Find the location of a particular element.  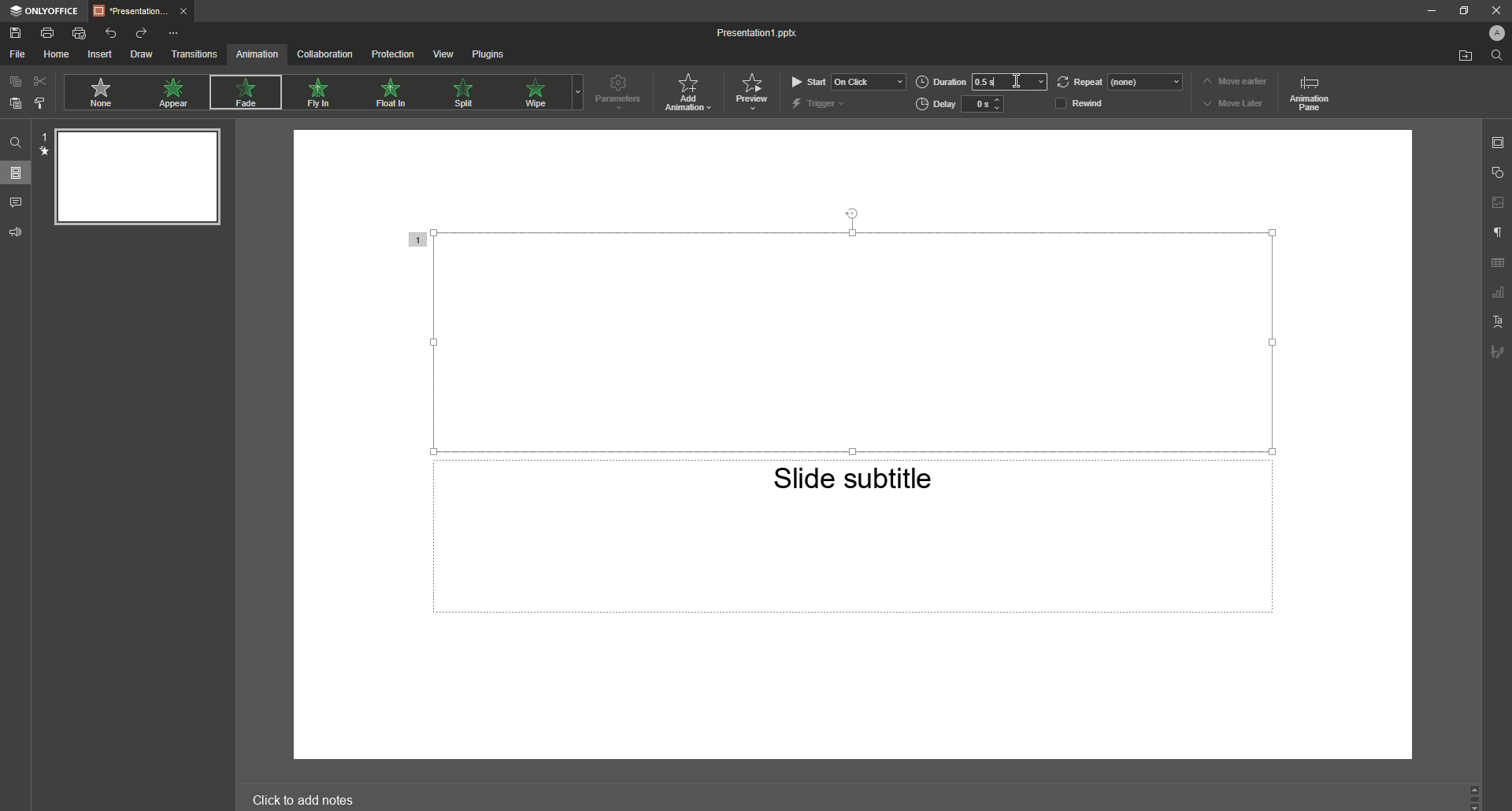

More Options is located at coordinates (174, 34).